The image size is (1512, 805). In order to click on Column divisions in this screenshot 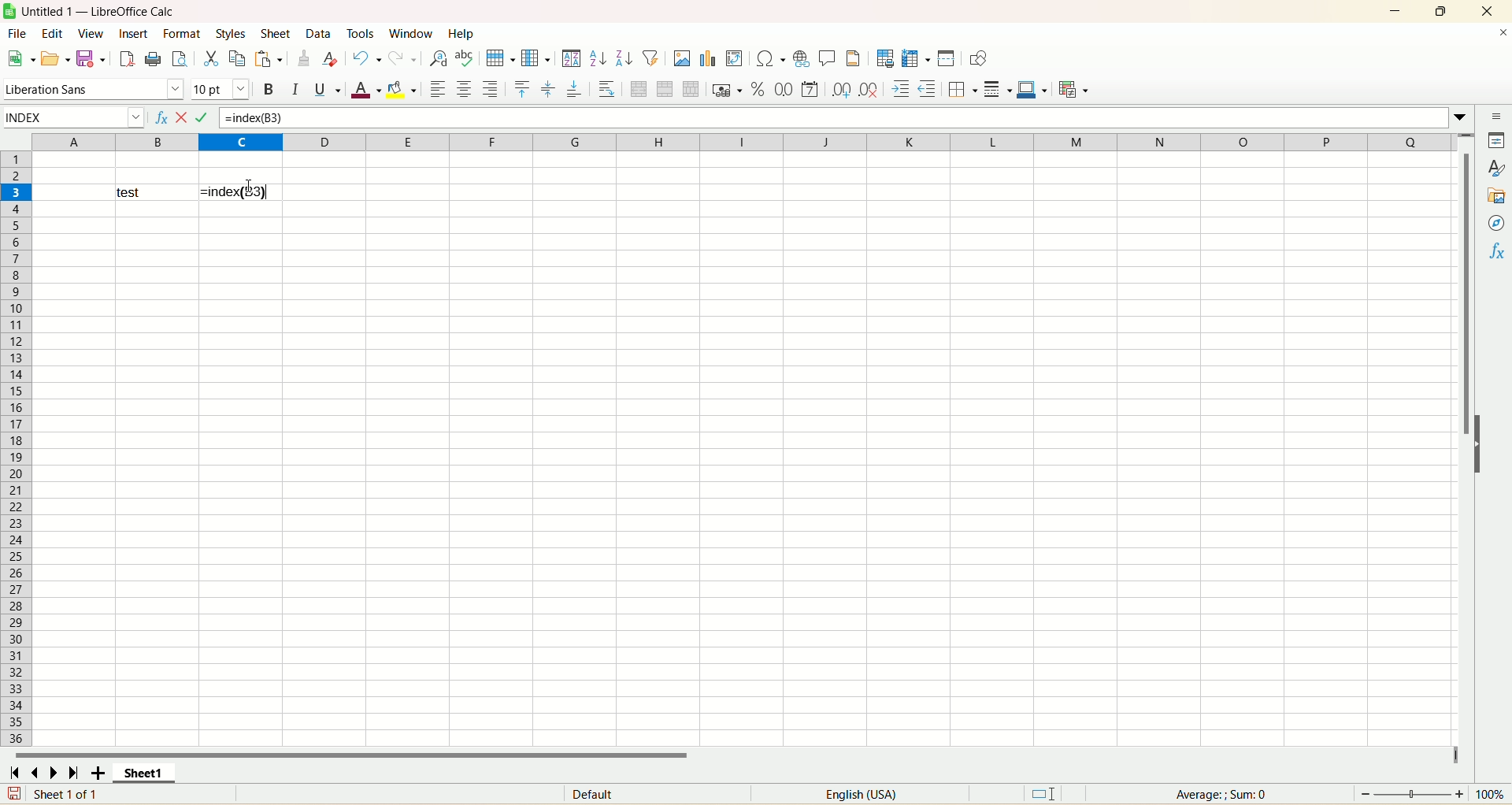, I will do `click(114, 142)`.